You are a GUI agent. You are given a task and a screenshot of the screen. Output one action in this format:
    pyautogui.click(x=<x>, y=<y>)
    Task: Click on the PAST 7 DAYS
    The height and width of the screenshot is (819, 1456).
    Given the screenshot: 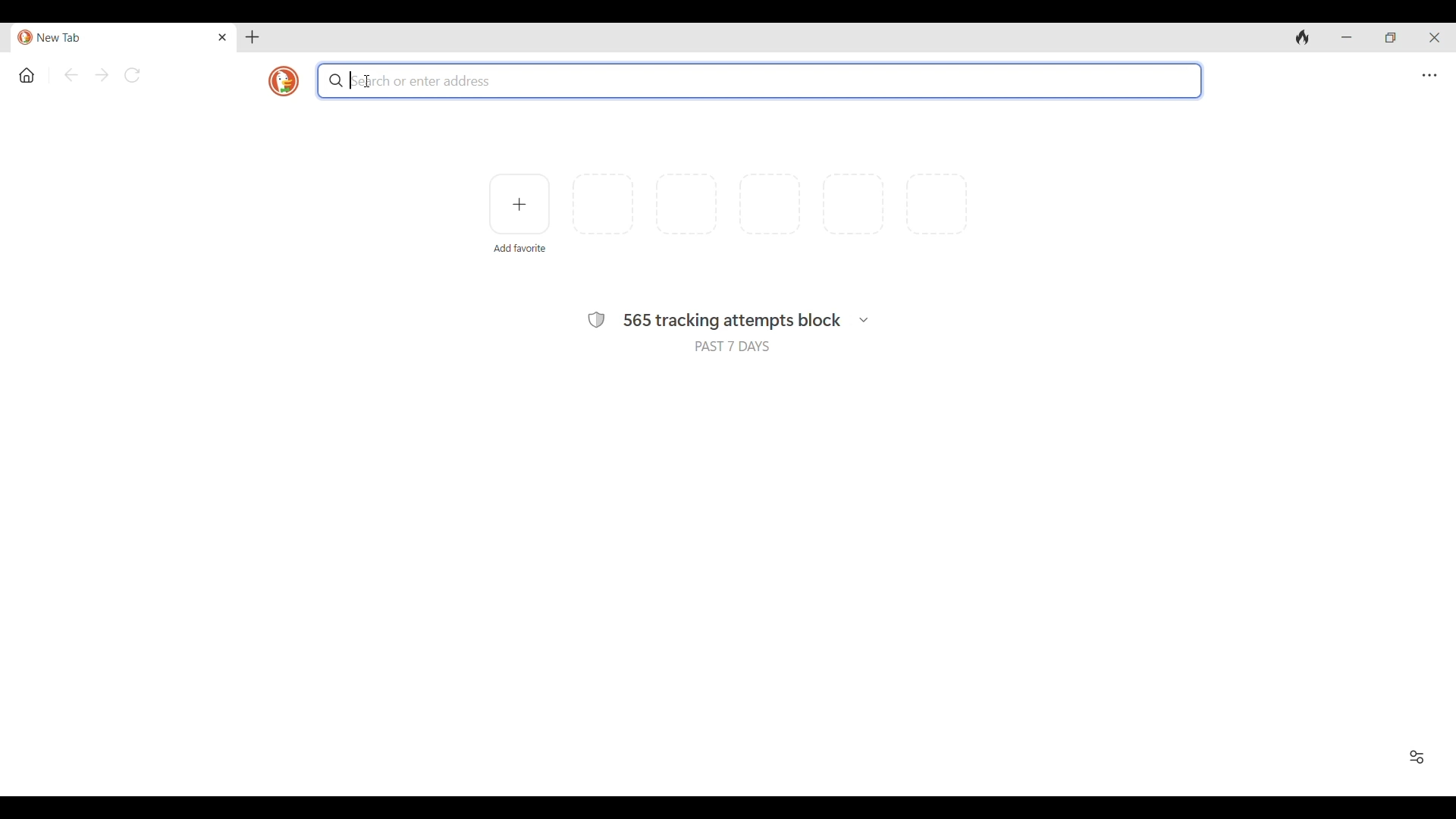 What is the action you would take?
    pyautogui.click(x=732, y=347)
    